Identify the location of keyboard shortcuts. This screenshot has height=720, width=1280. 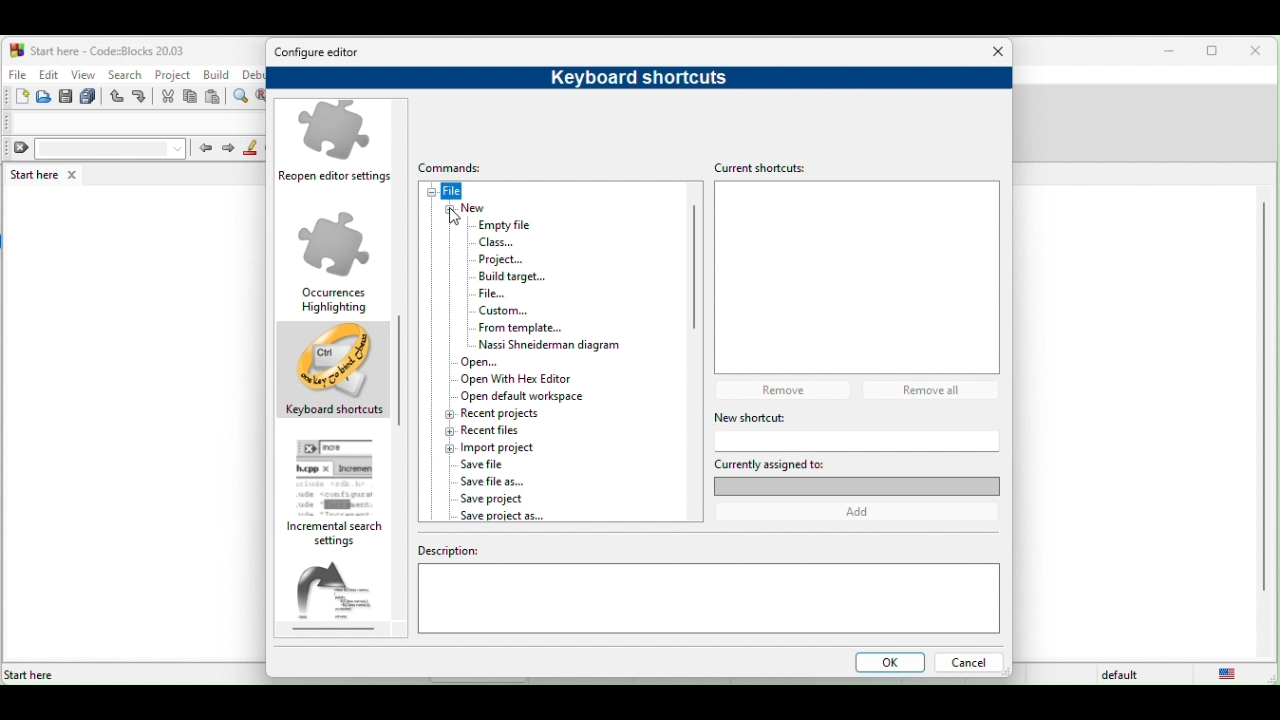
(630, 77).